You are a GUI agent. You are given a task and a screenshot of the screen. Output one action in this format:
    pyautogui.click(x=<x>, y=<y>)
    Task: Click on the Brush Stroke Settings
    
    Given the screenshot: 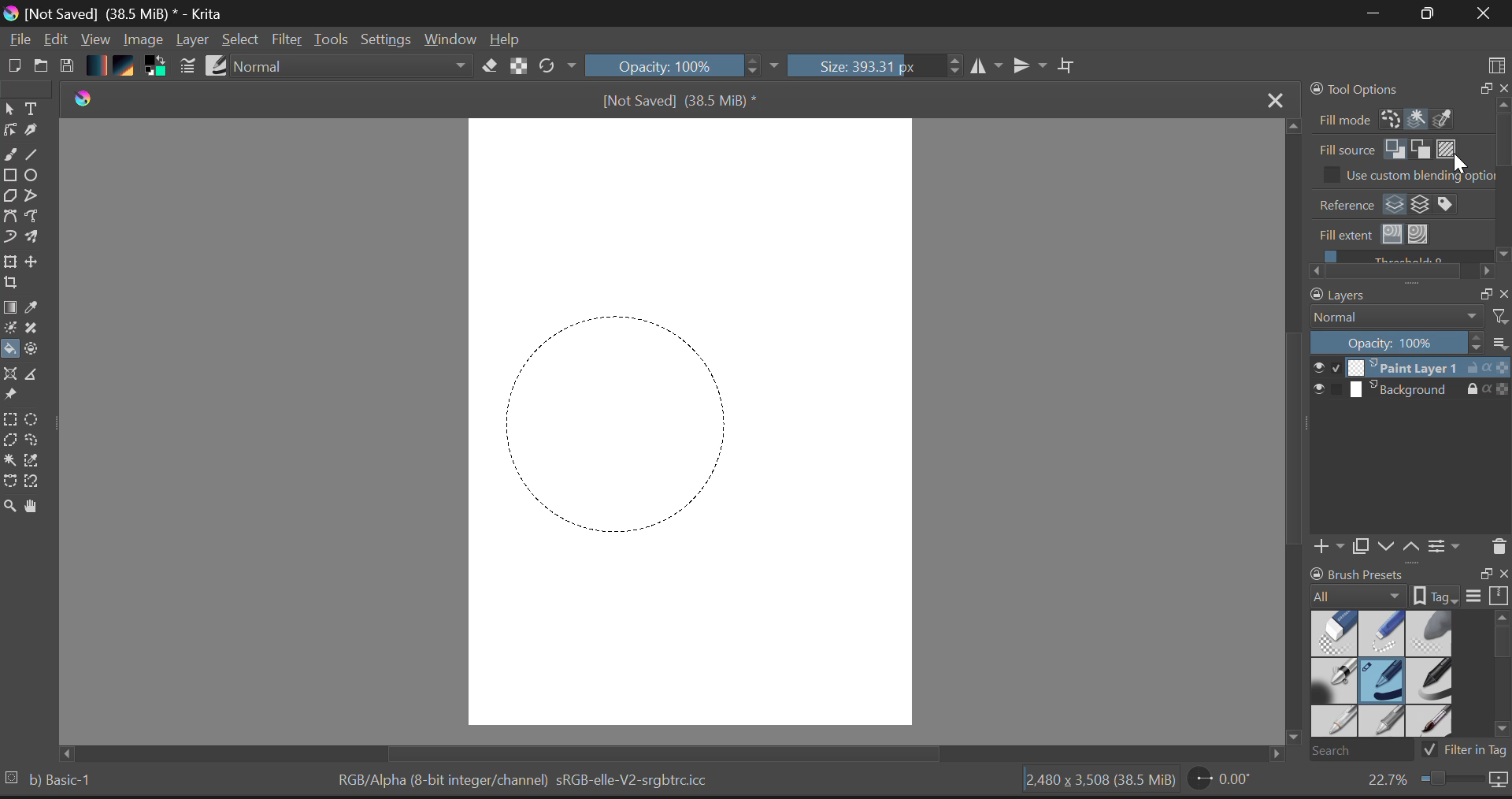 What is the action you would take?
    pyautogui.click(x=186, y=66)
    